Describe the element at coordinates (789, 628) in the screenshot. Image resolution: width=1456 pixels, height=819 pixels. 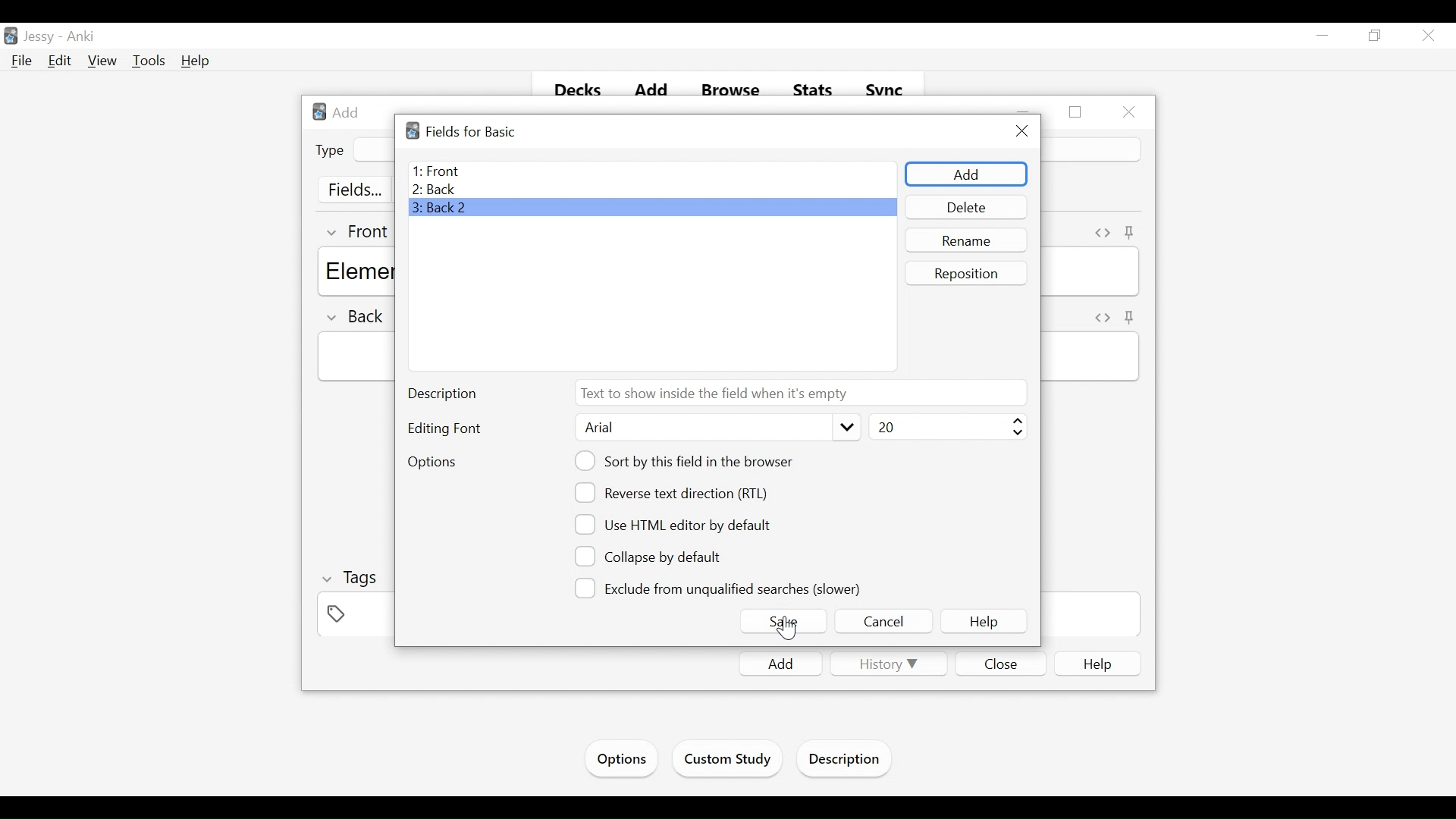
I see `Cursor` at that location.